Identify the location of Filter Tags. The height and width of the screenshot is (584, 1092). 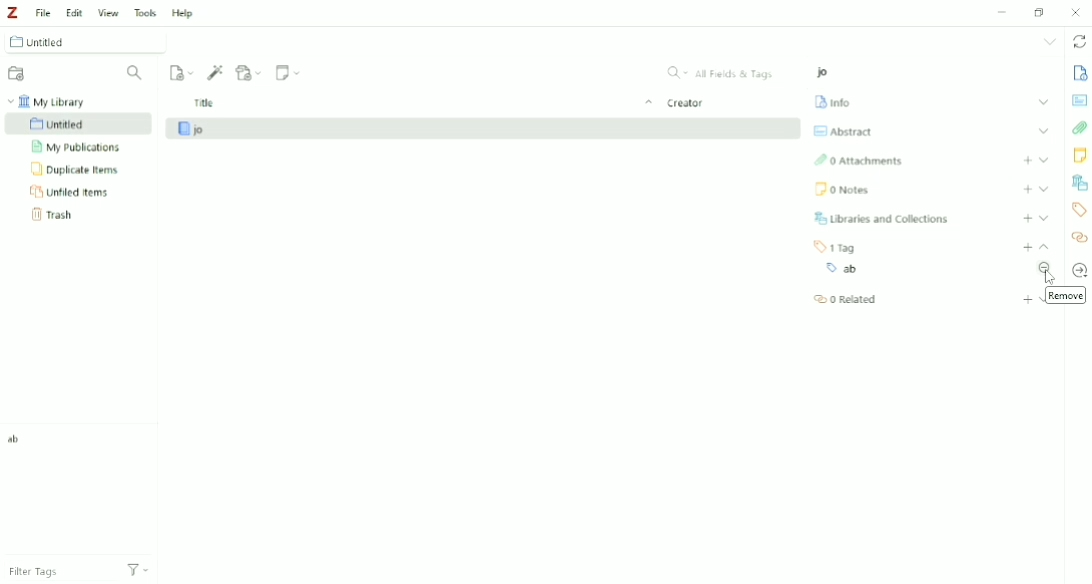
(51, 572).